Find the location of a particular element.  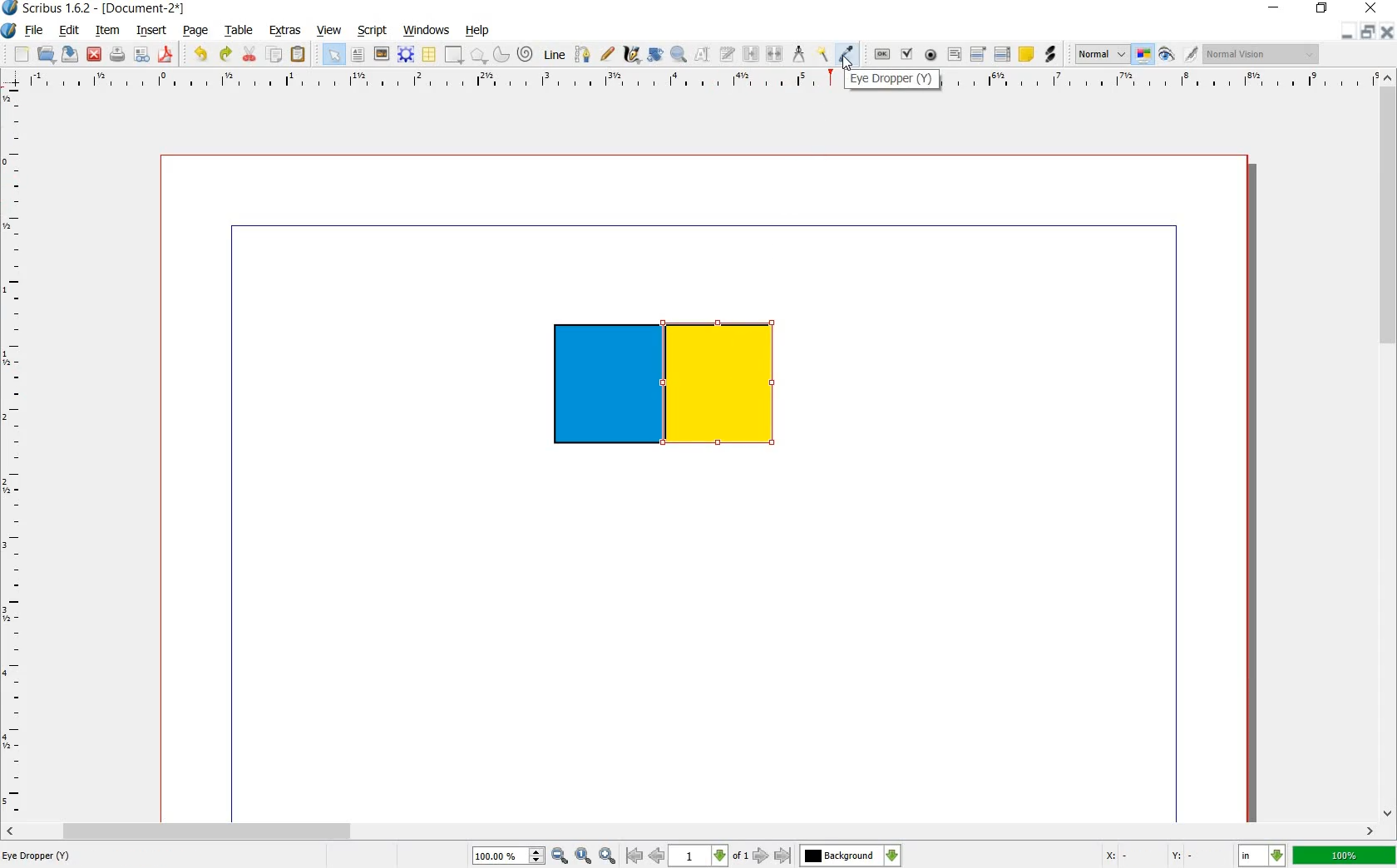

restore is located at coordinates (1321, 9).